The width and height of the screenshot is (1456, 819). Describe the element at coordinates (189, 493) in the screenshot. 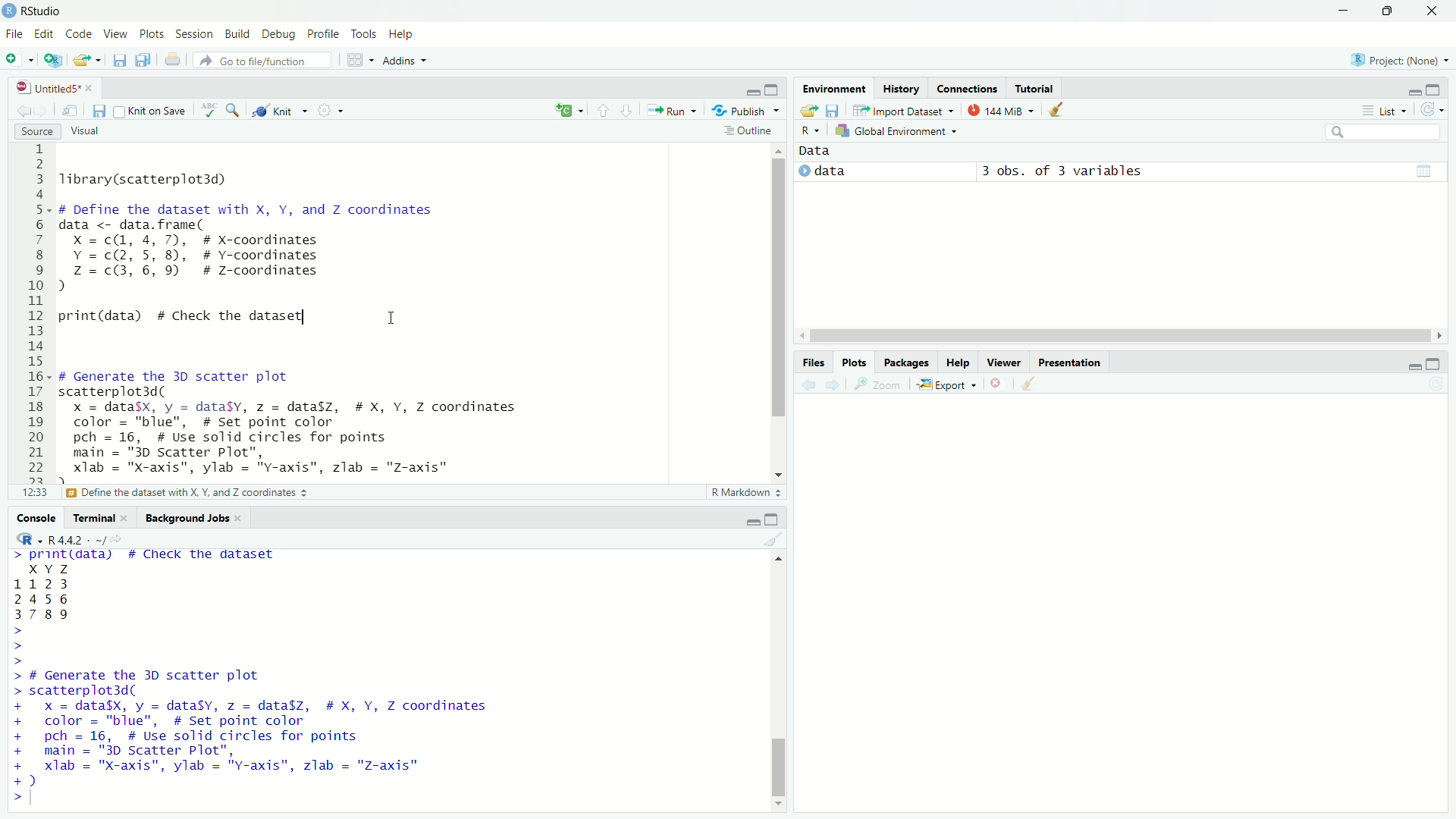

I see `Define the dataset with X, Y, and Z coordinates` at that location.